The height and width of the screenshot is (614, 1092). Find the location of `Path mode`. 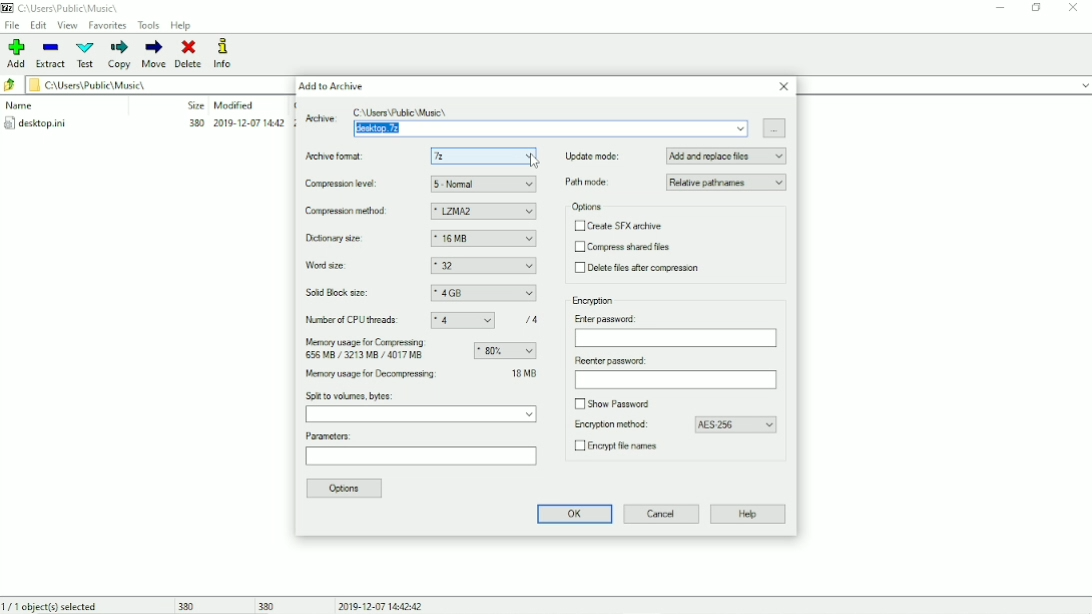

Path mode is located at coordinates (675, 183).